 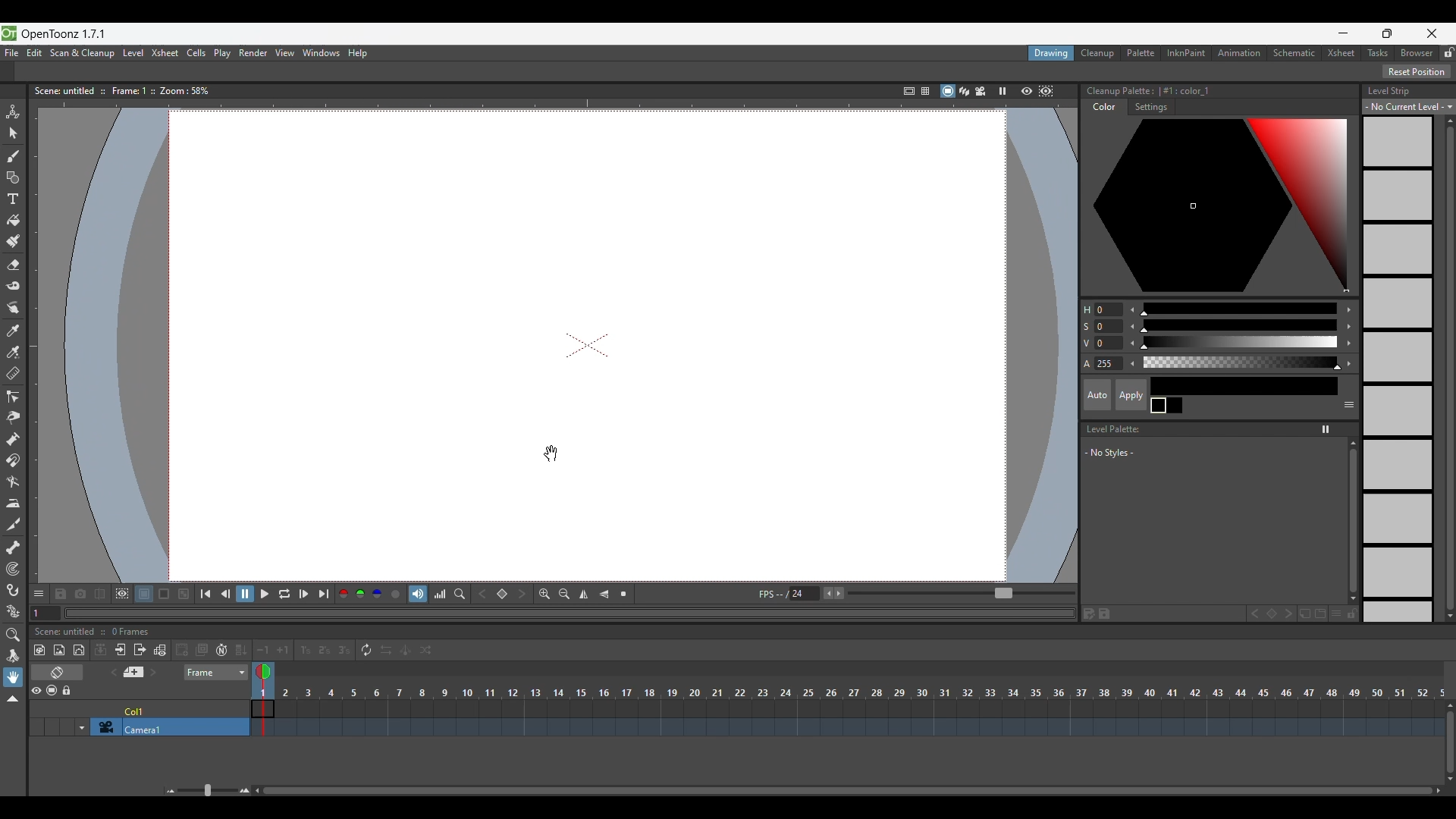 What do you see at coordinates (325, 594) in the screenshot?
I see `Last frame` at bounding box center [325, 594].